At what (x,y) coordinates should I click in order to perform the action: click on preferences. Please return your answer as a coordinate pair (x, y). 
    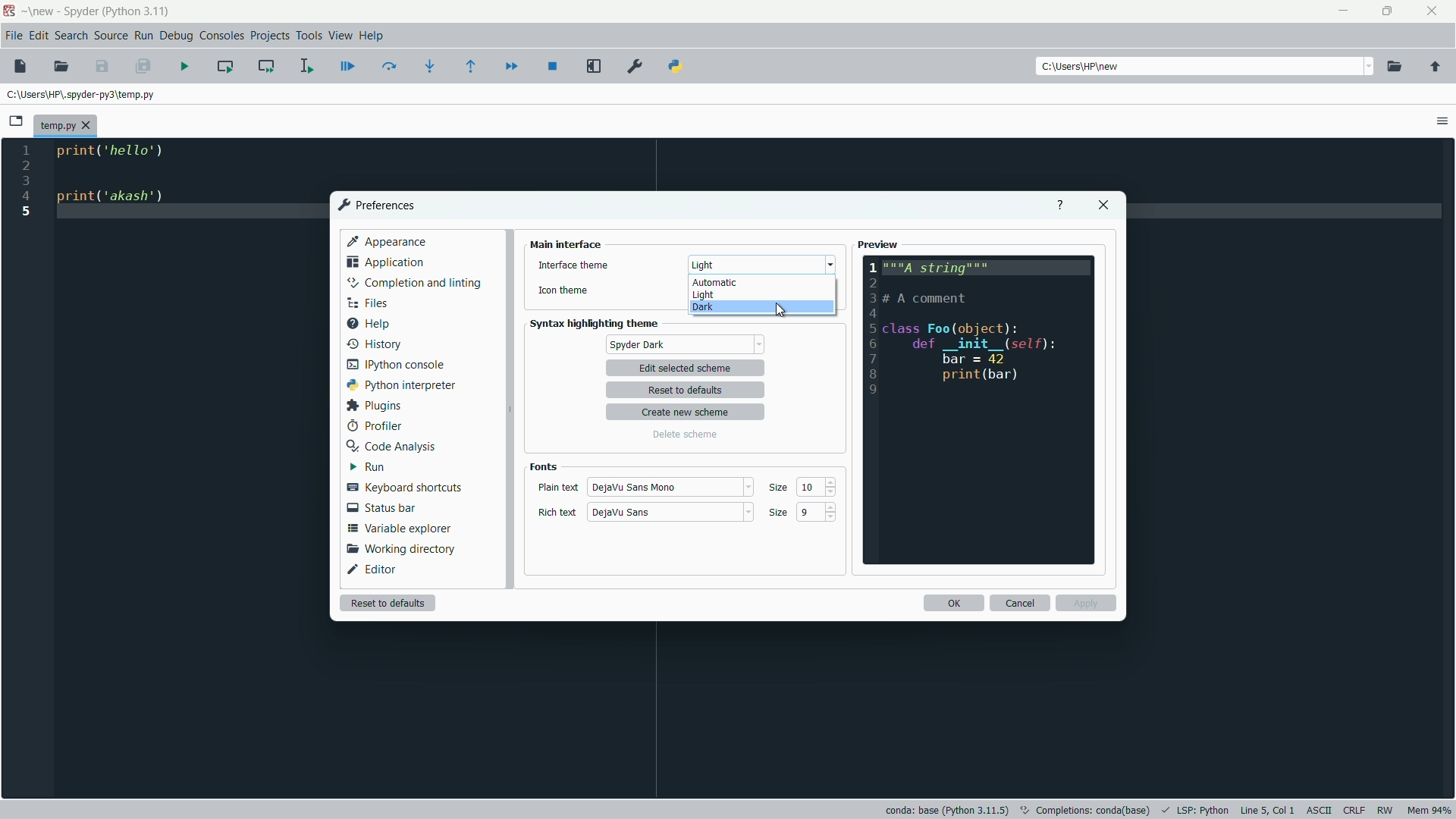
    Looking at the image, I should click on (375, 205).